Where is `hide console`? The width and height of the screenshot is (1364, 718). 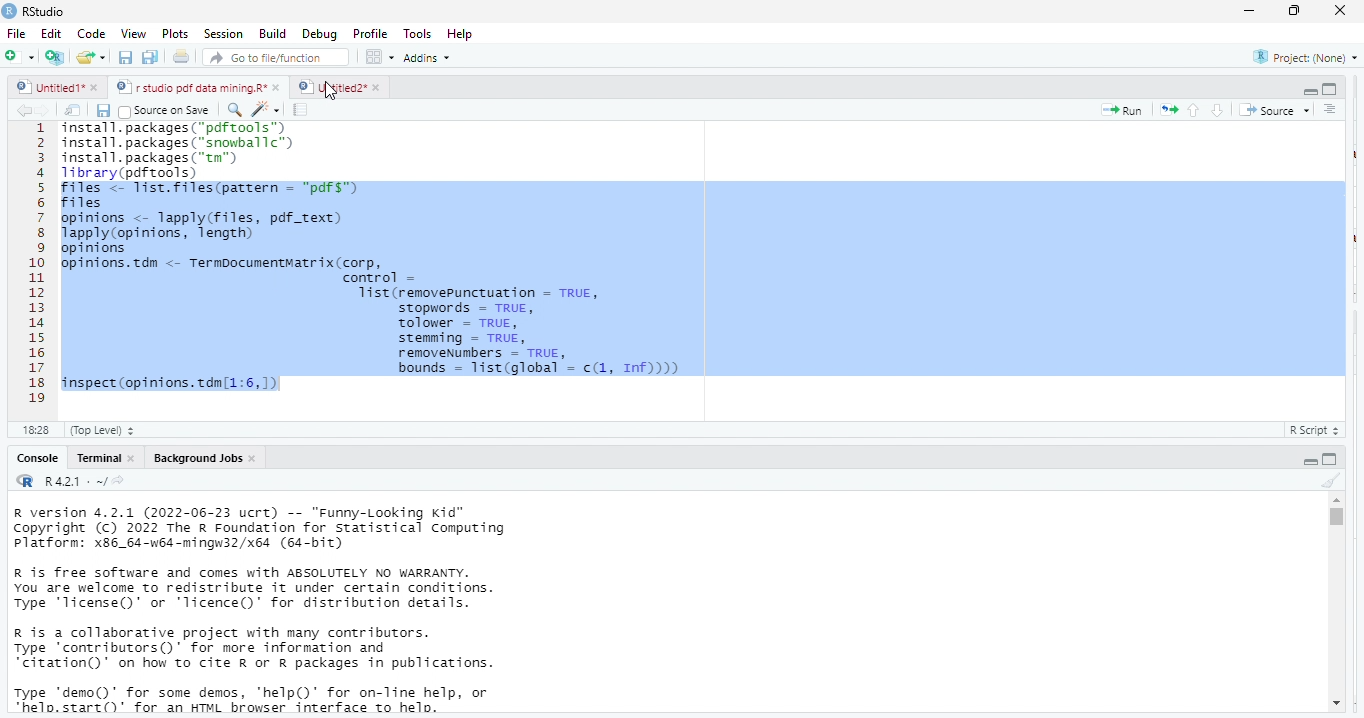
hide console is located at coordinates (1330, 89).